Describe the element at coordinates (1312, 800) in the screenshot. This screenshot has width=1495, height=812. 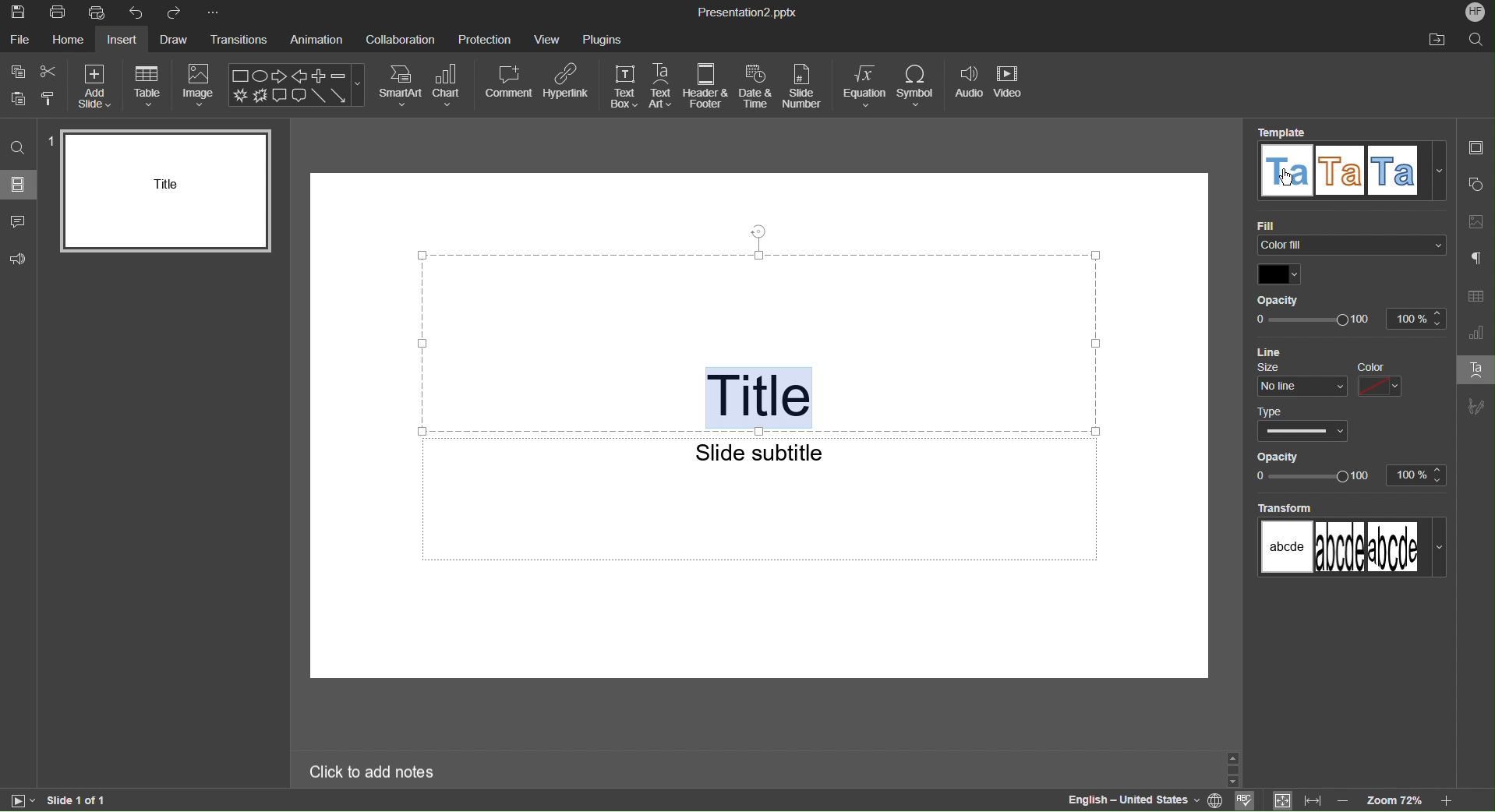
I see `fit to width` at that location.